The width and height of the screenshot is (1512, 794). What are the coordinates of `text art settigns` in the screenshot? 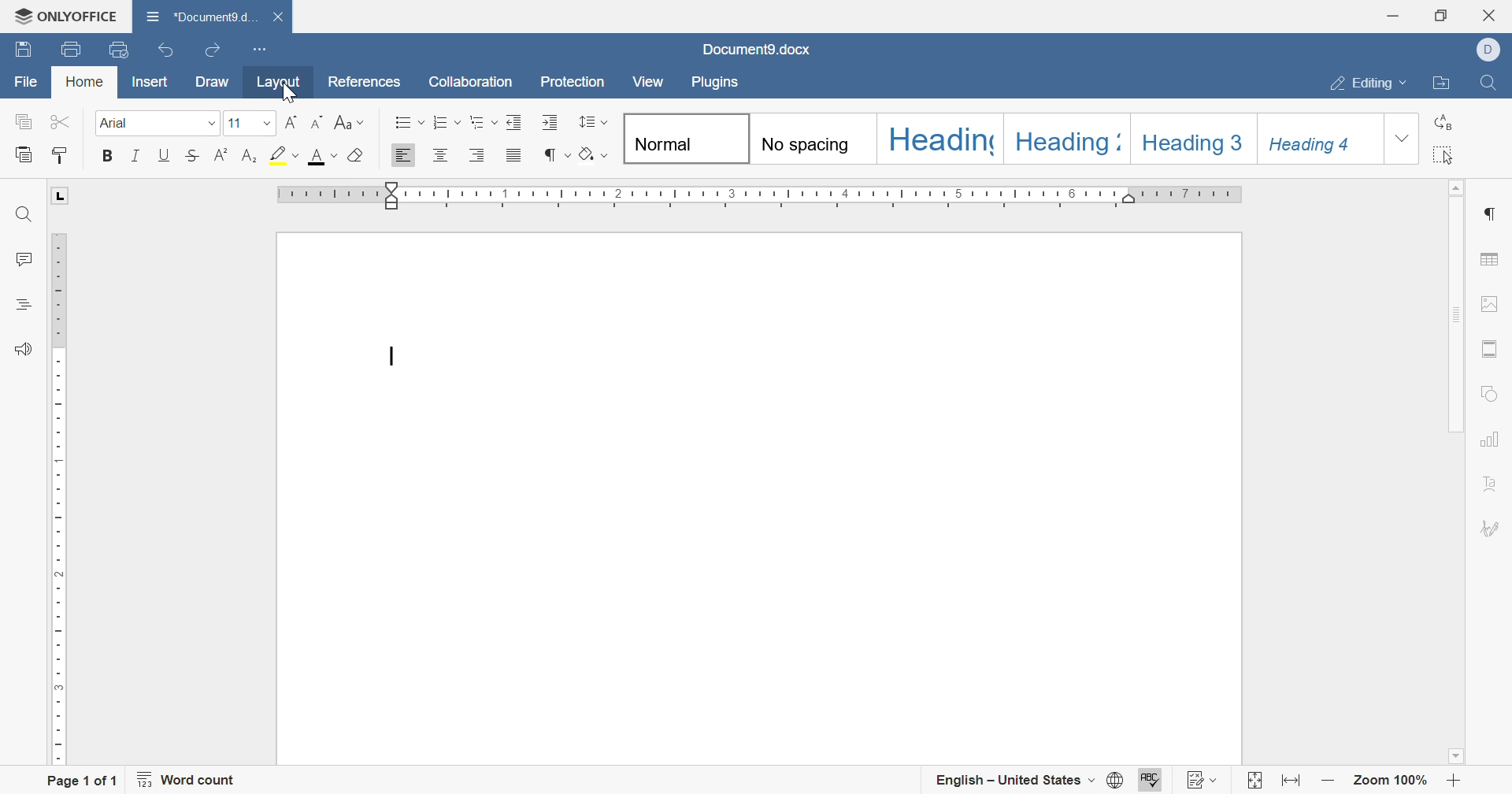 It's located at (1491, 484).